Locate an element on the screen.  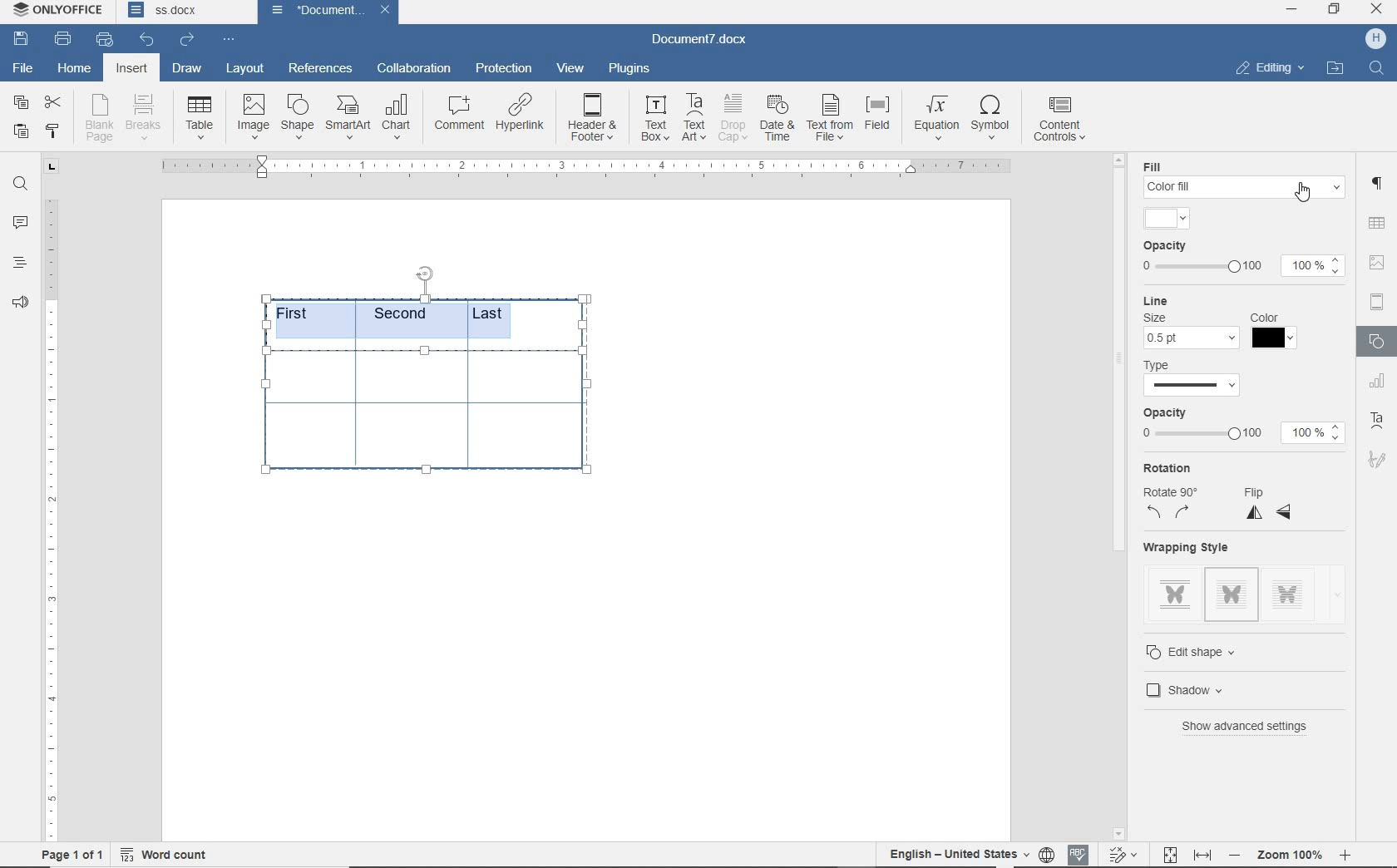
Table is located at coordinates (201, 119).